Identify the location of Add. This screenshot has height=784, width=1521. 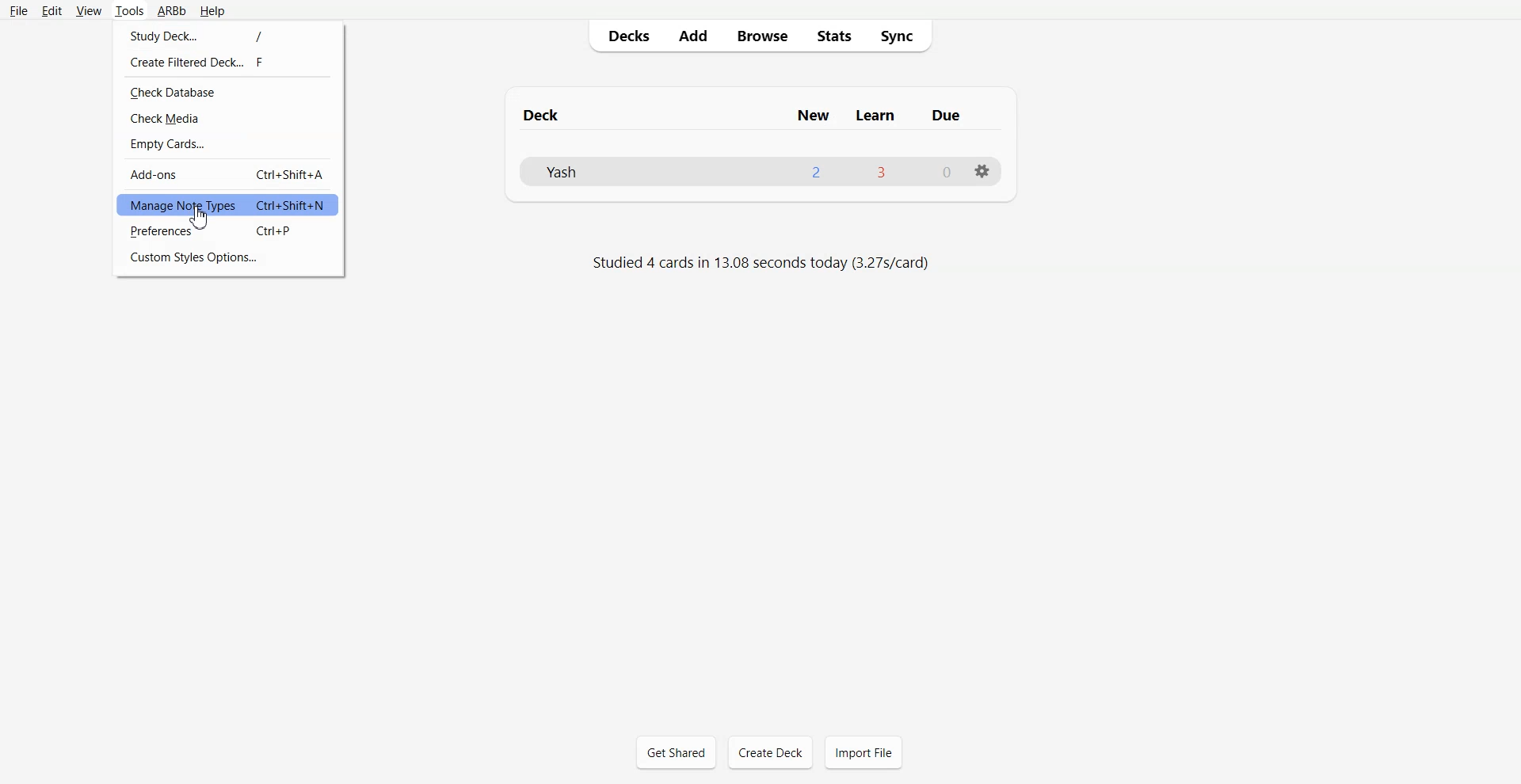
(692, 36).